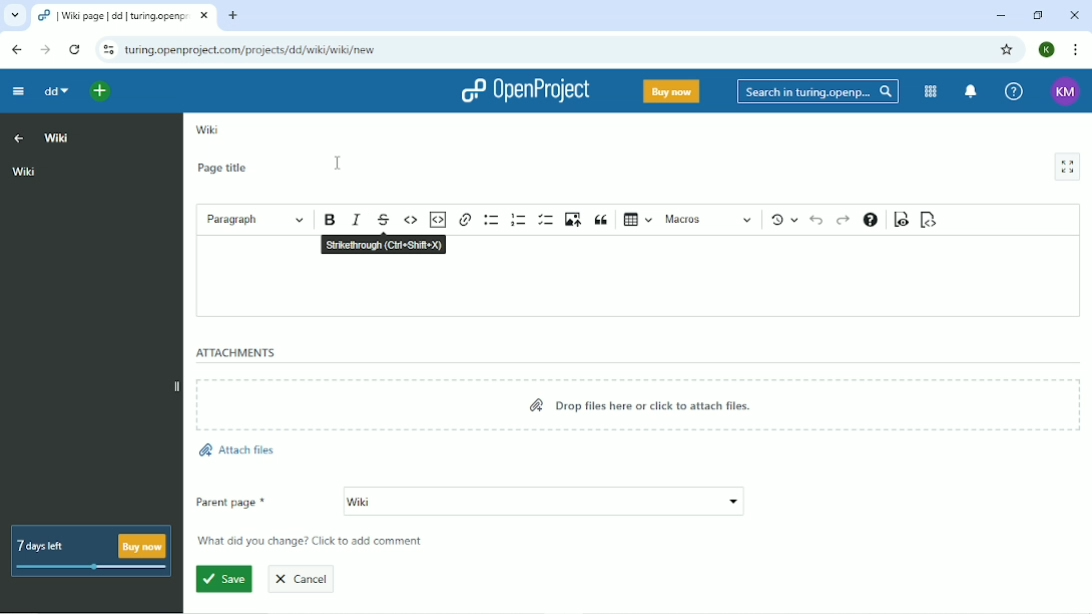  What do you see at coordinates (929, 218) in the screenshot?
I see `Switch to markdown source` at bounding box center [929, 218].